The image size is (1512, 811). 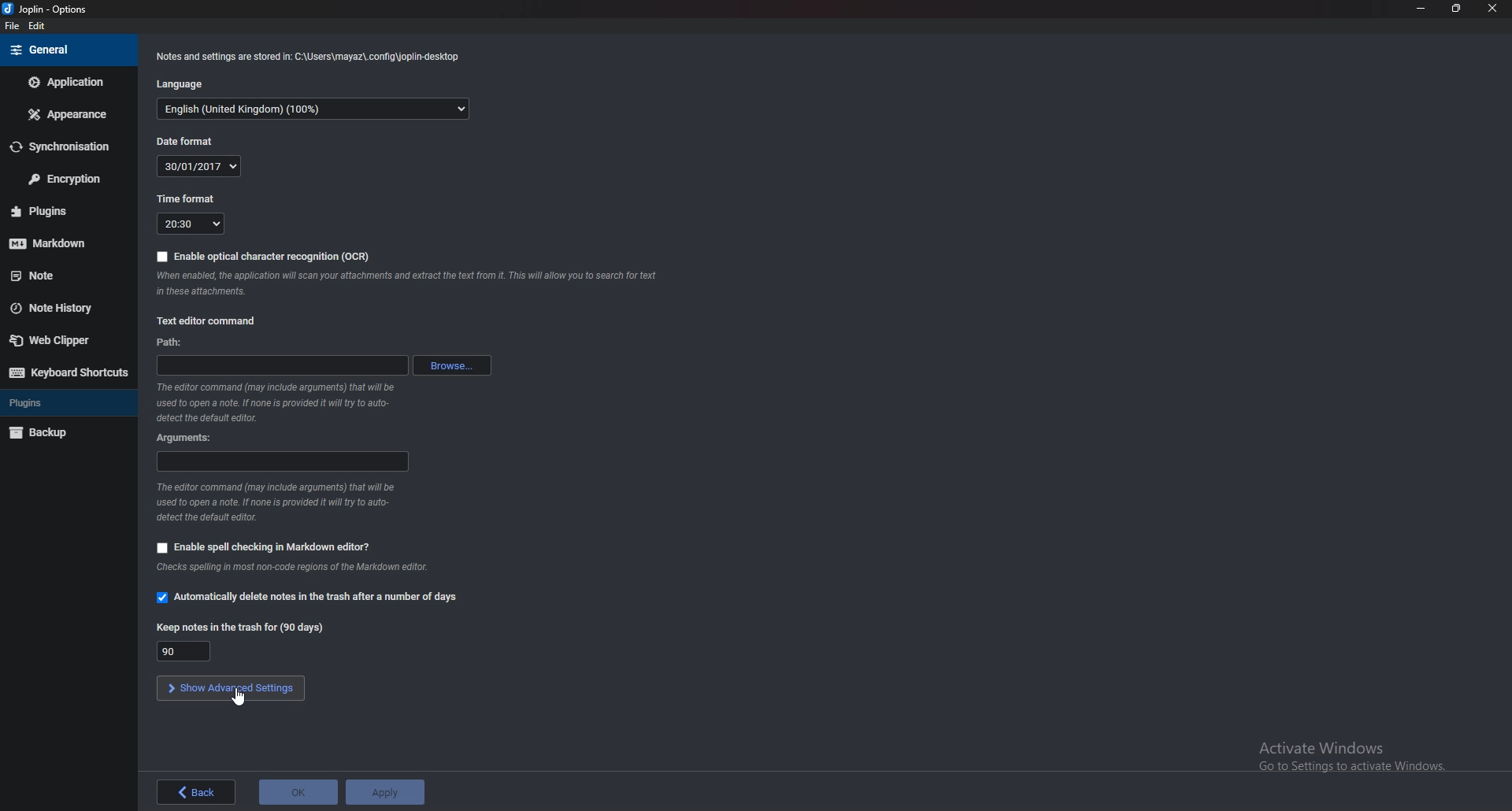 What do you see at coordinates (309, 57) in the screenshot?
I see `notes and settings Info` at bounding box center [309, 57].